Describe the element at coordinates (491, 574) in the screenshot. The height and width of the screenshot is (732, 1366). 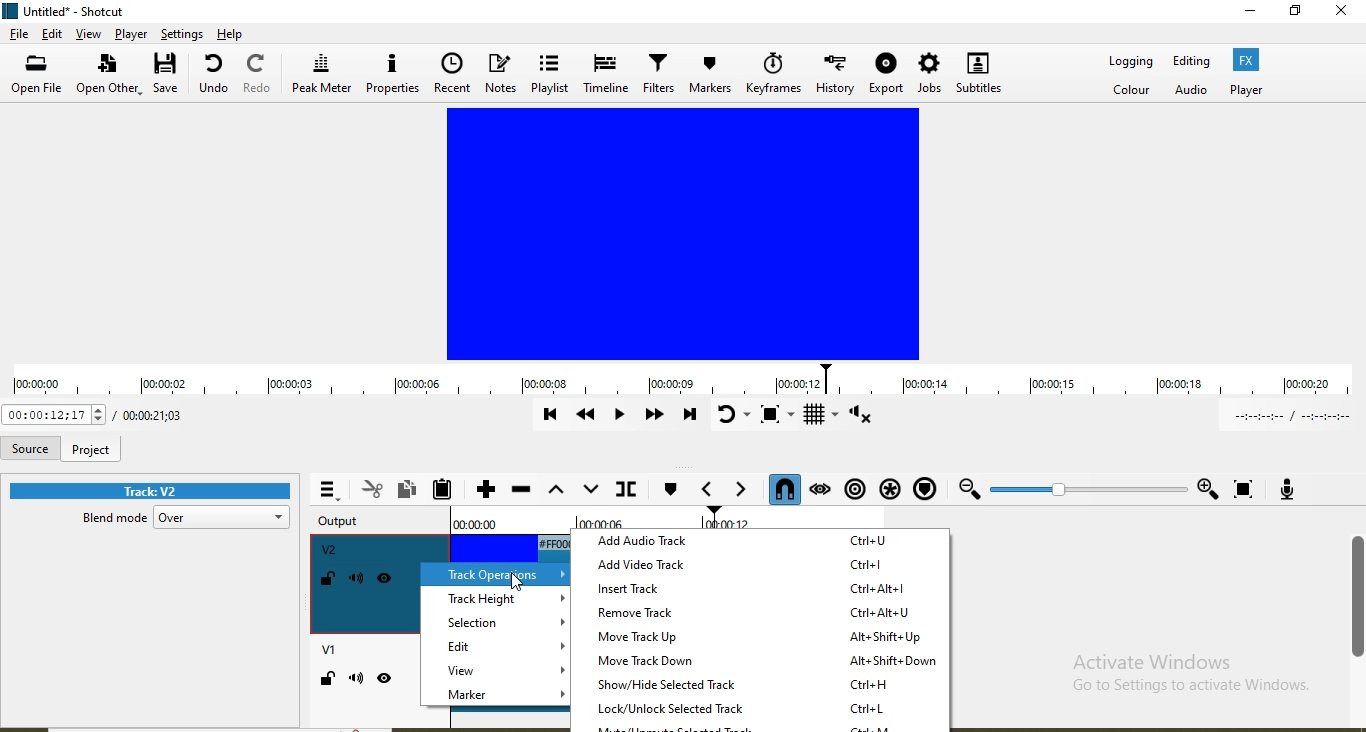
I see `track operations` at that location.